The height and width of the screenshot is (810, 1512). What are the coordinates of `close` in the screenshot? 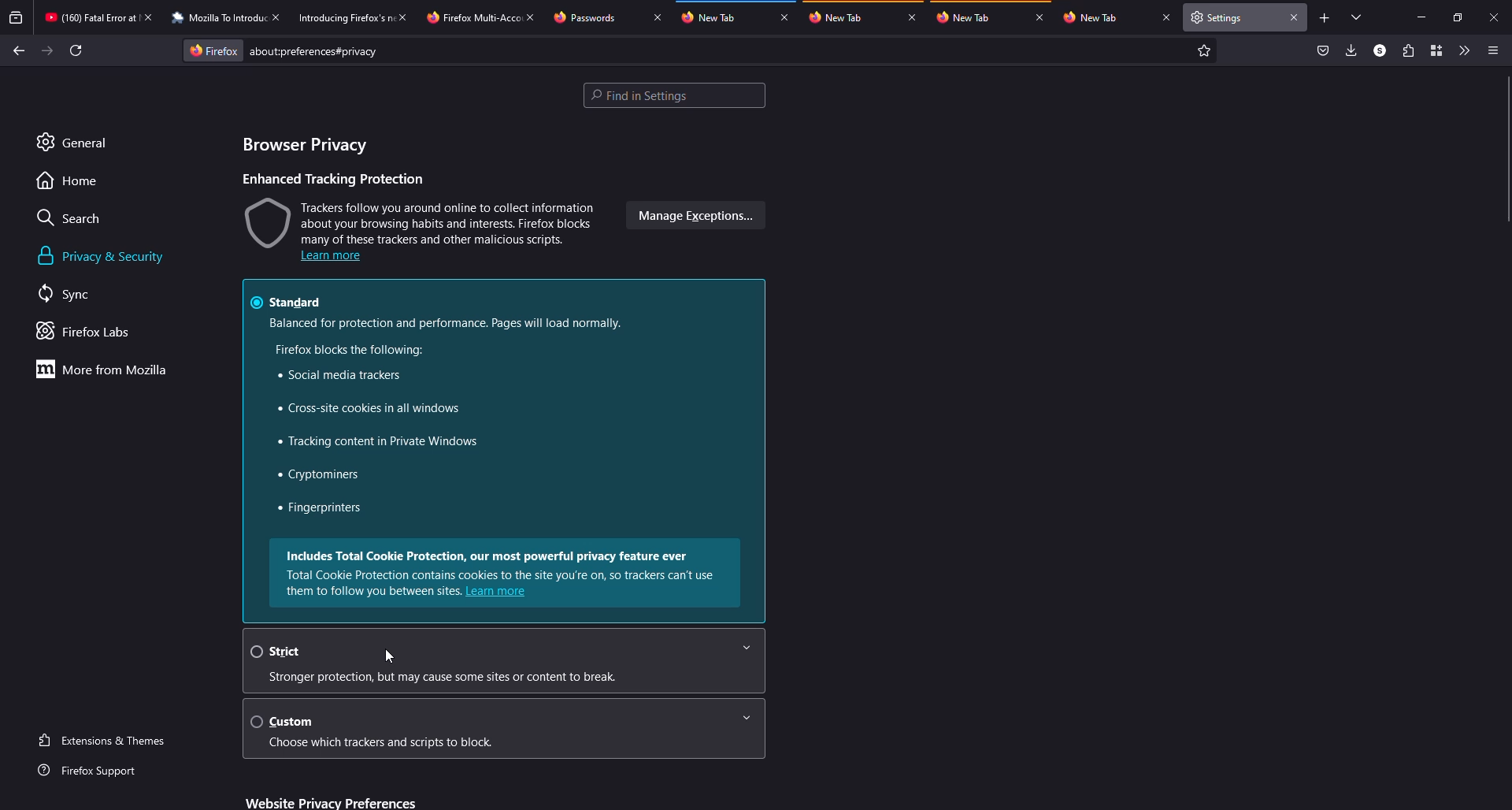 It's located at (1165, 17).